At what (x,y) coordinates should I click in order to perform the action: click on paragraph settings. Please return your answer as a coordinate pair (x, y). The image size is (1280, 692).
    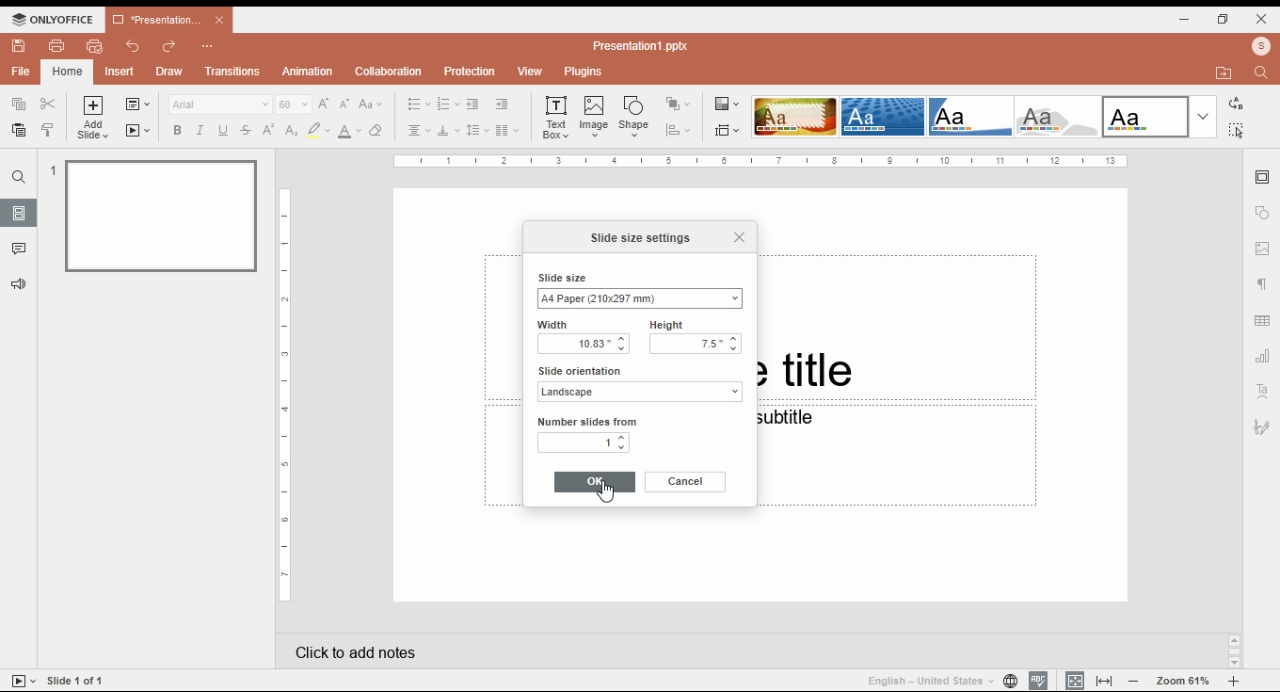
    Looking at the image, I should click on (1265, 287).